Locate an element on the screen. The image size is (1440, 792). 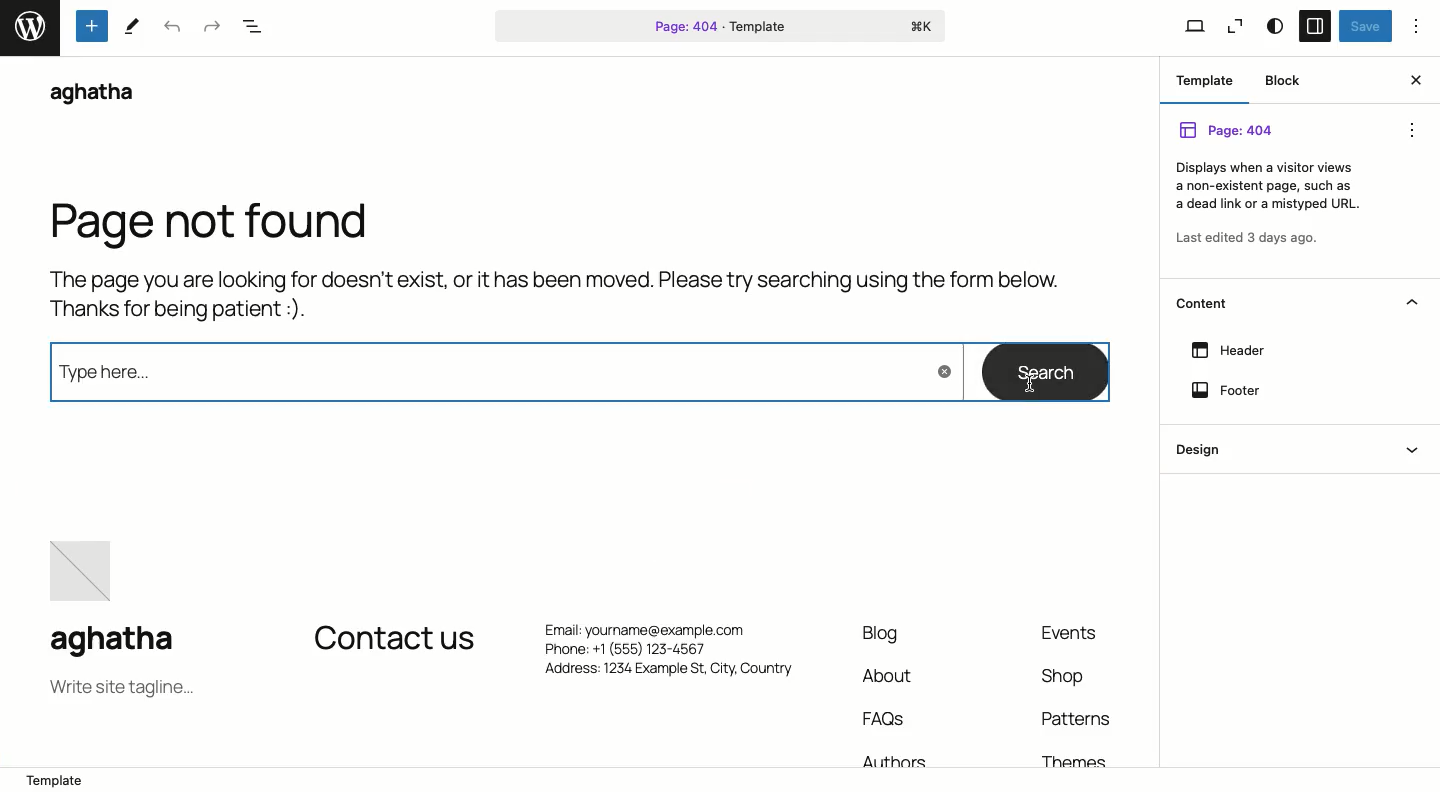
Save is located at coordinates (1366, 26).